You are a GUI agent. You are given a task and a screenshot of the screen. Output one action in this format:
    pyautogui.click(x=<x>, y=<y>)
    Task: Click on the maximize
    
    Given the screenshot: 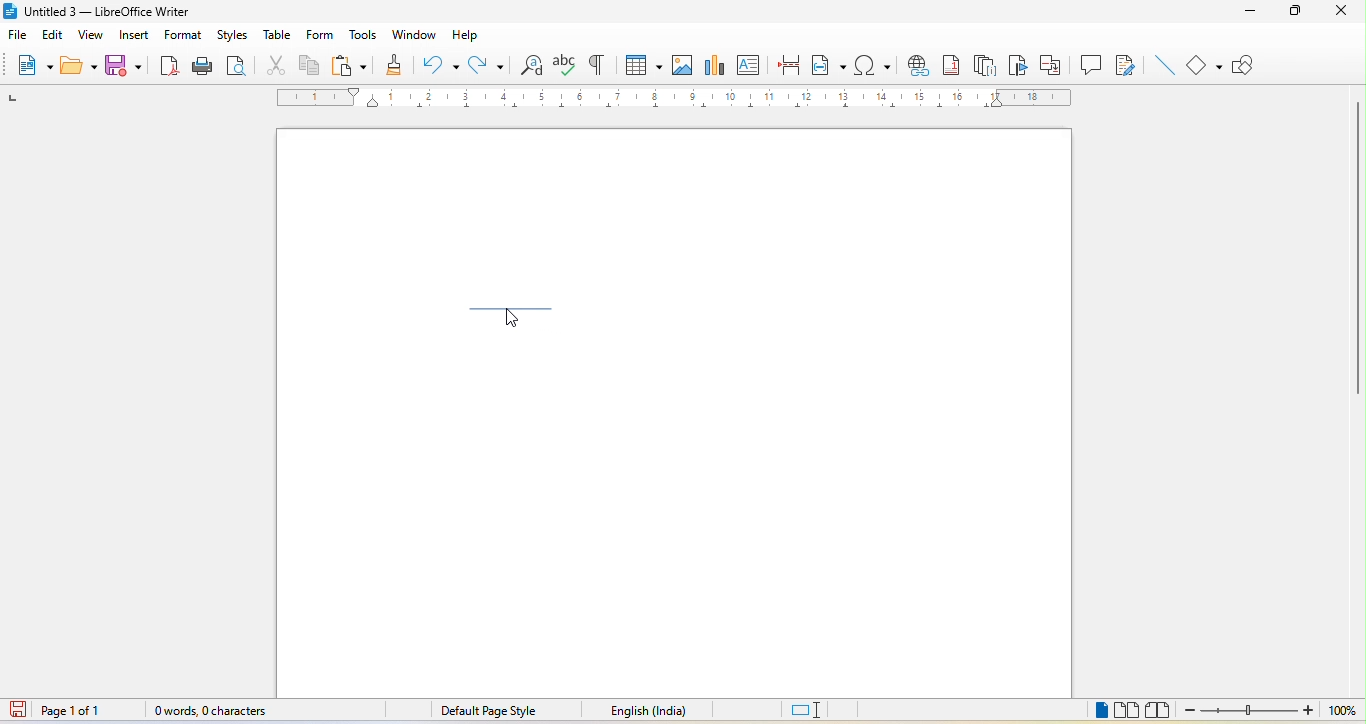 What is the action you would take?
    pyautogui.click(x=1294, y=13)
    